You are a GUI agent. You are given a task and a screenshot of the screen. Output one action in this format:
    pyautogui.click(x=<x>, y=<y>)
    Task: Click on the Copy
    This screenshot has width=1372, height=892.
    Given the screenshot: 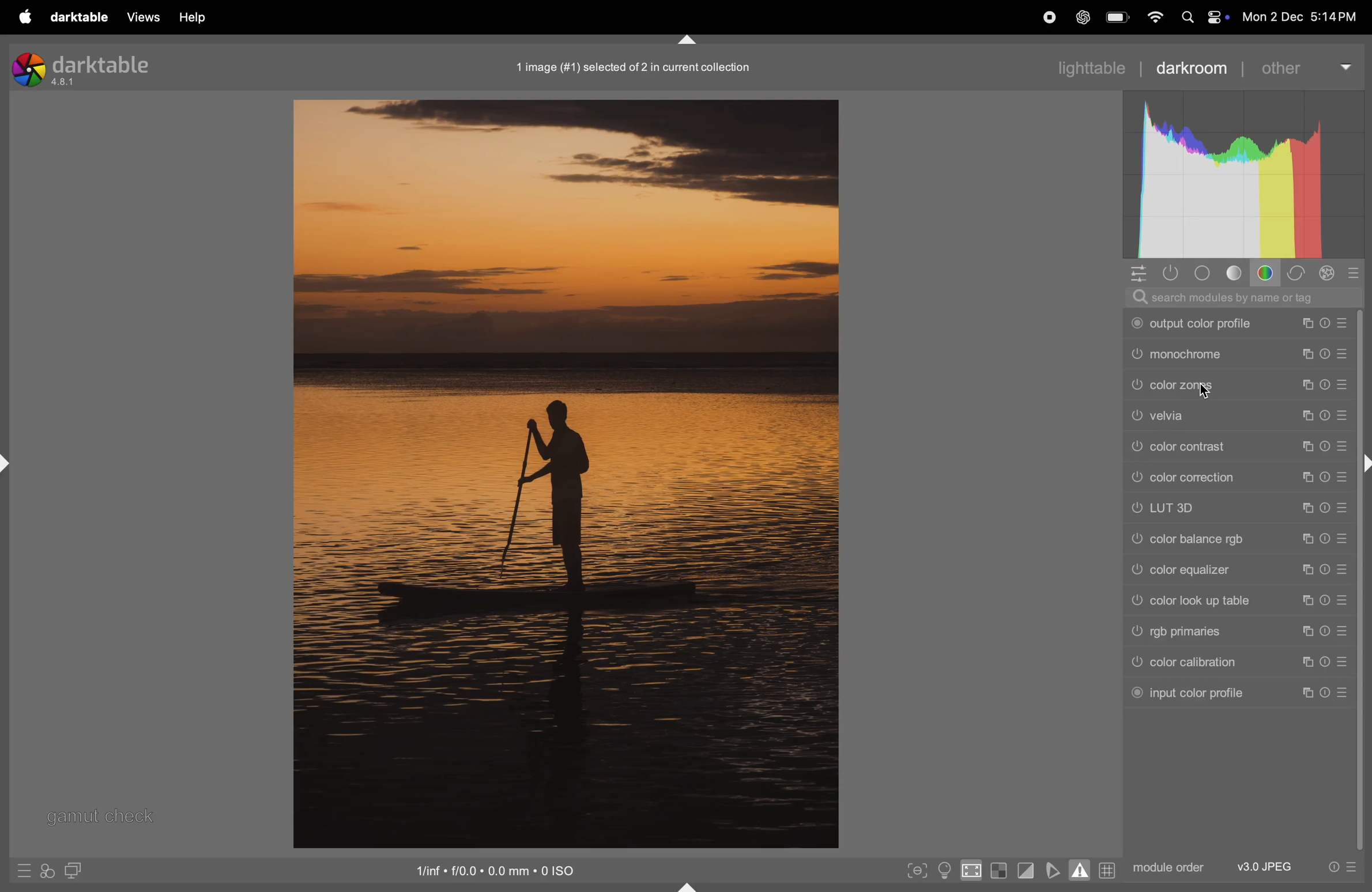 What is the action you would take?
    pyautogui.click(x=1305, y=694)
    